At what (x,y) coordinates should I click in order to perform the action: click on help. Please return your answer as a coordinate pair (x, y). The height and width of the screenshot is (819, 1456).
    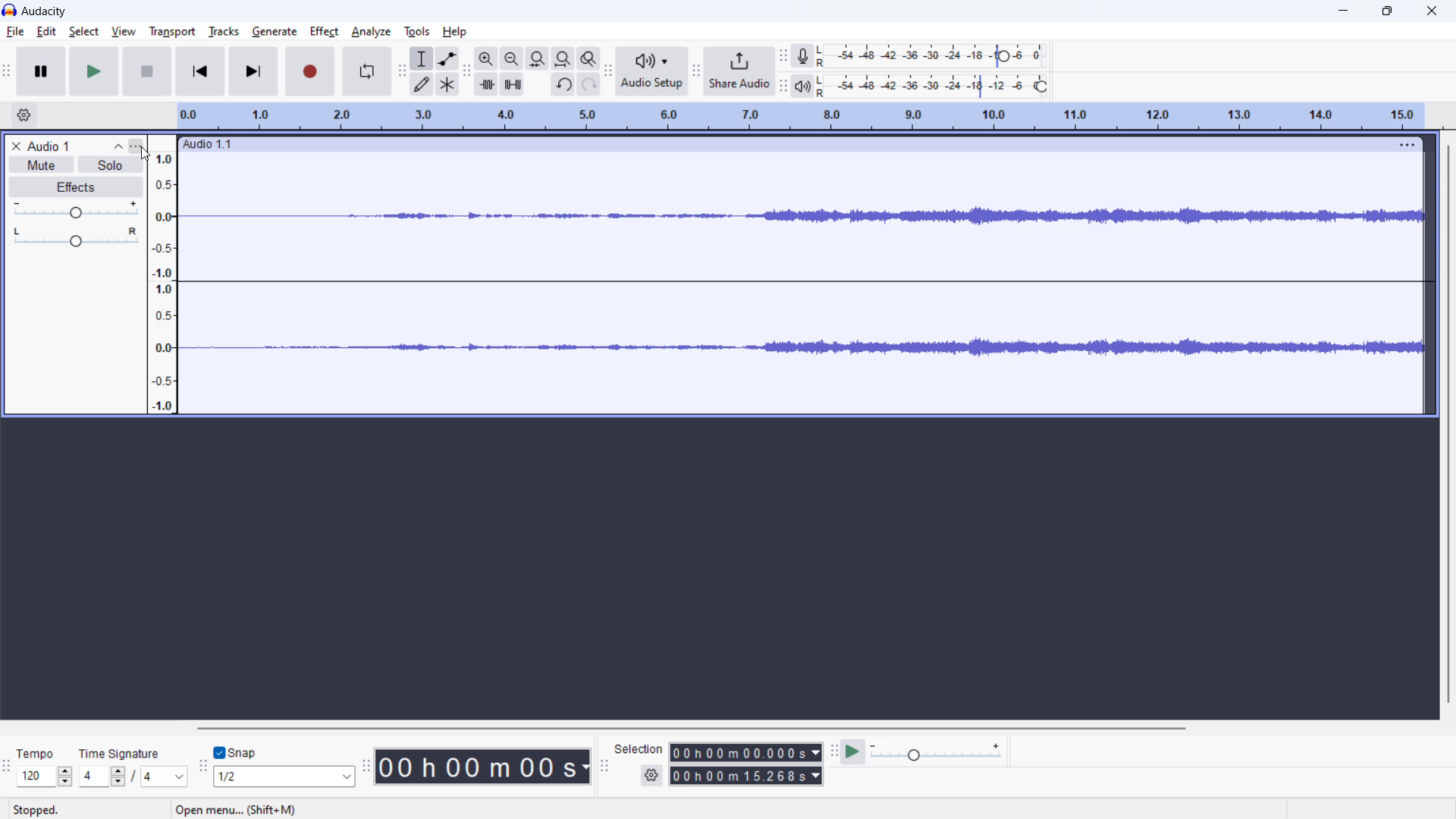
    Looking at the image, I should click on (455, 31).